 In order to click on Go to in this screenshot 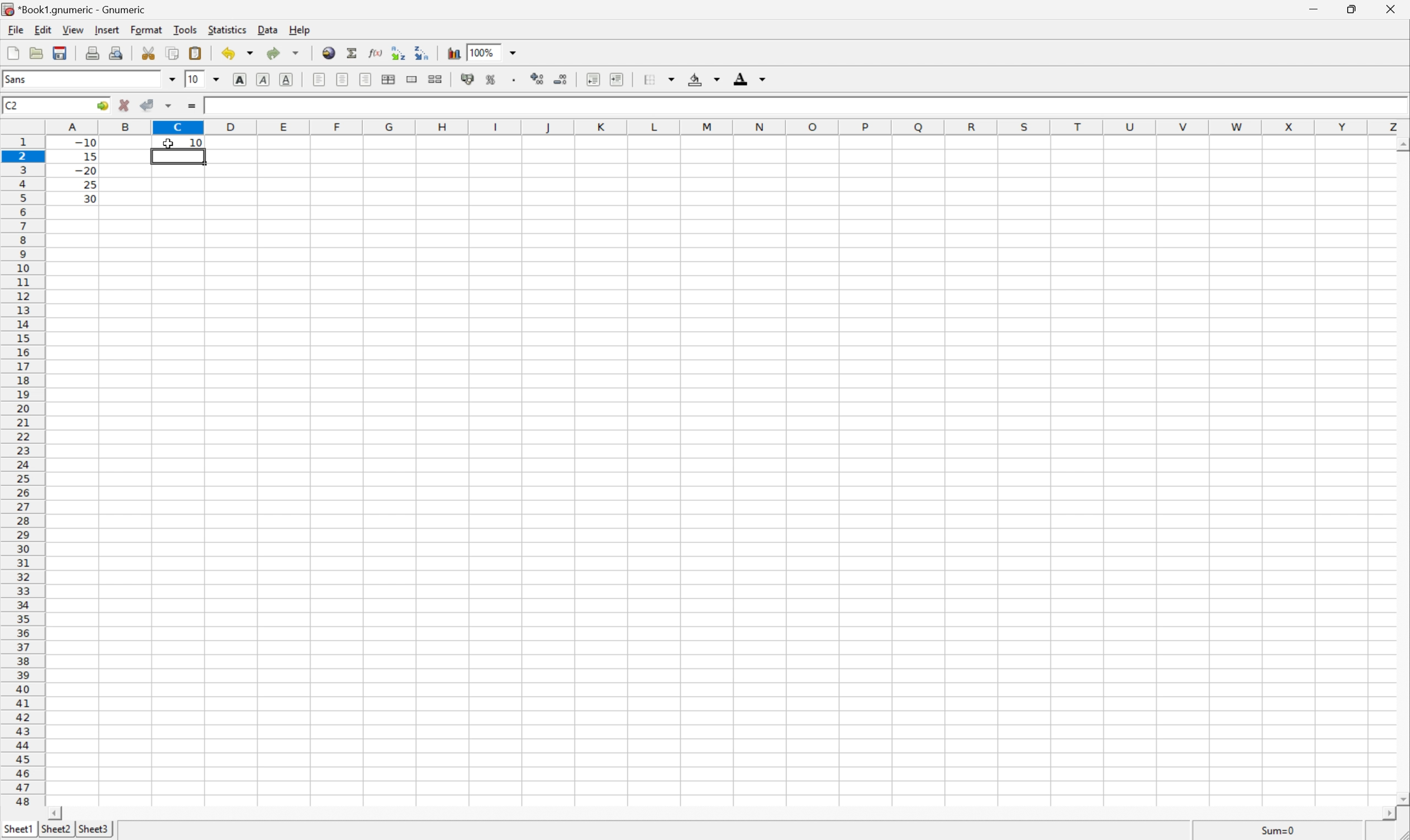, I will do `click(101, 106)`.